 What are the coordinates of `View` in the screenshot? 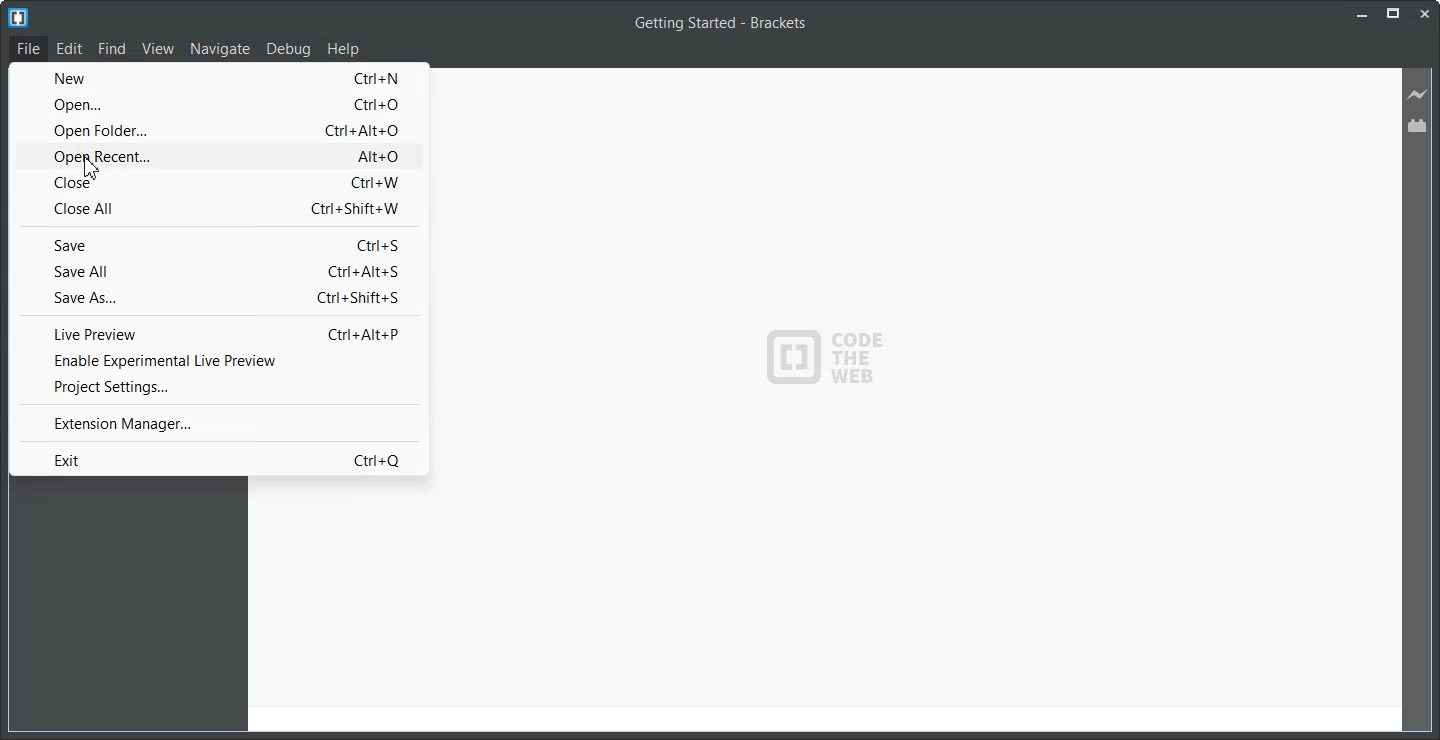 It's located at (157, 49).